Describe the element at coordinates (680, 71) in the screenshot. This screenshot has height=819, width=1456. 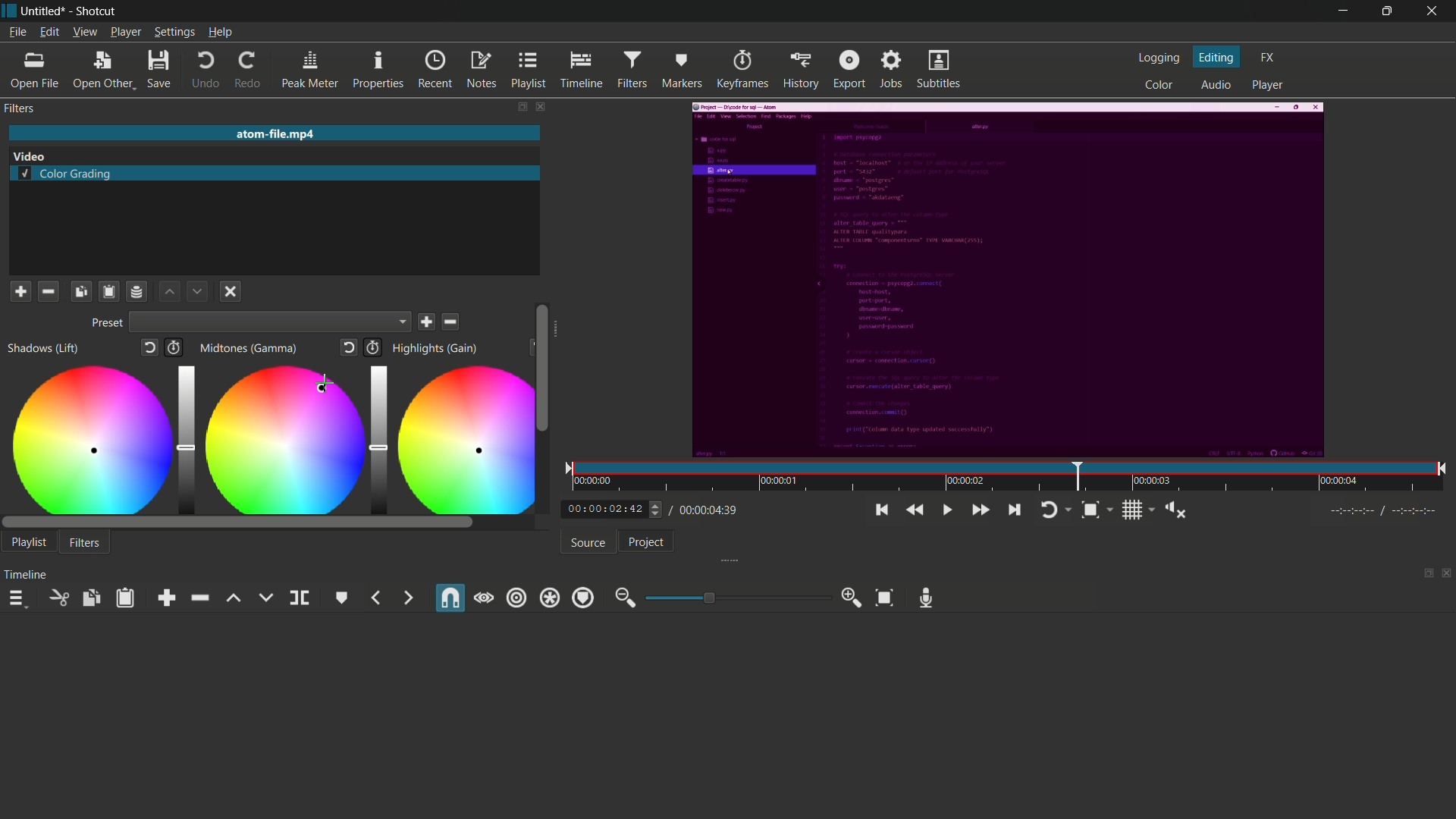
I see `markers` at that location.